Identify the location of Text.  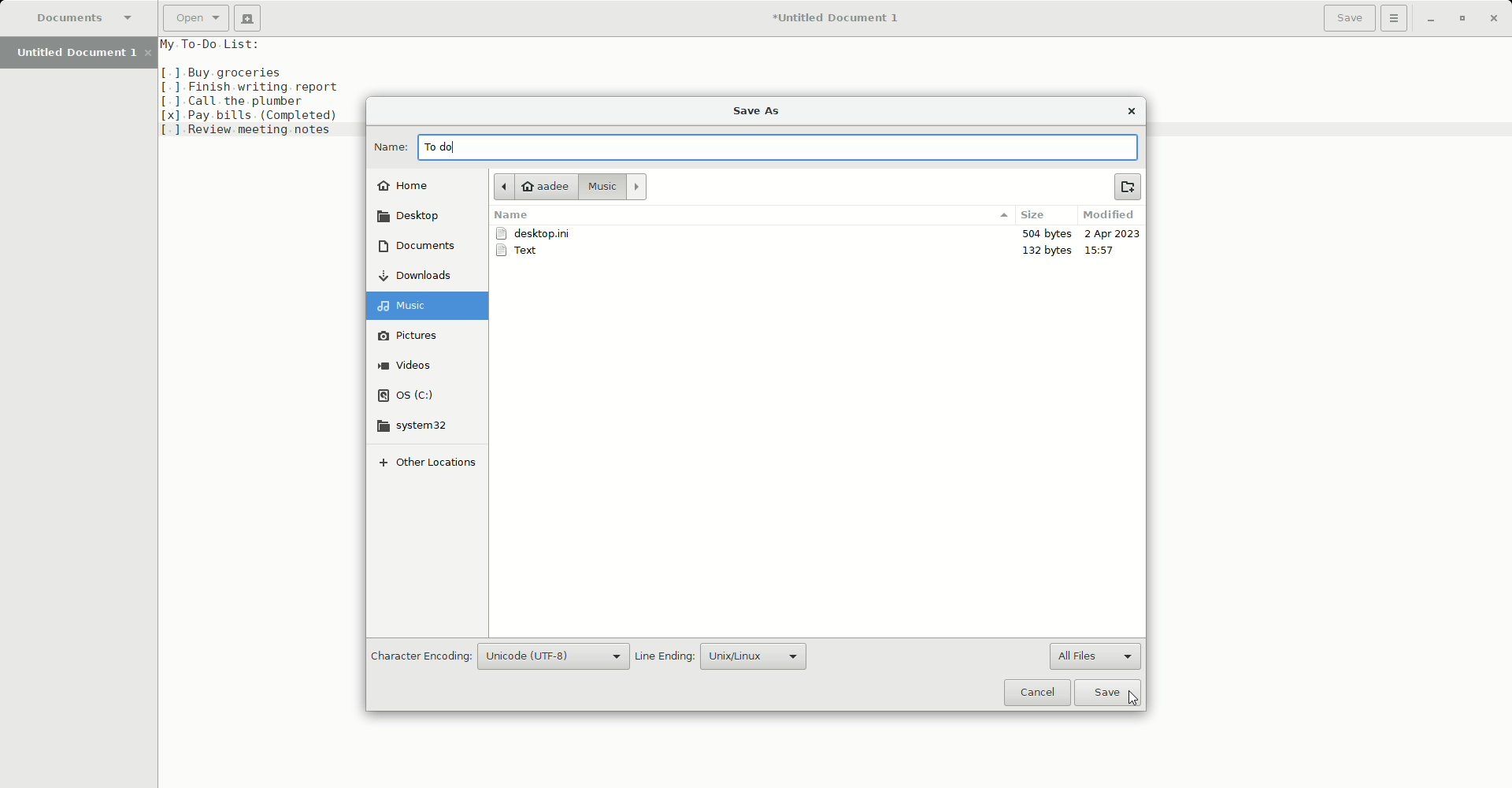
(524, 252).